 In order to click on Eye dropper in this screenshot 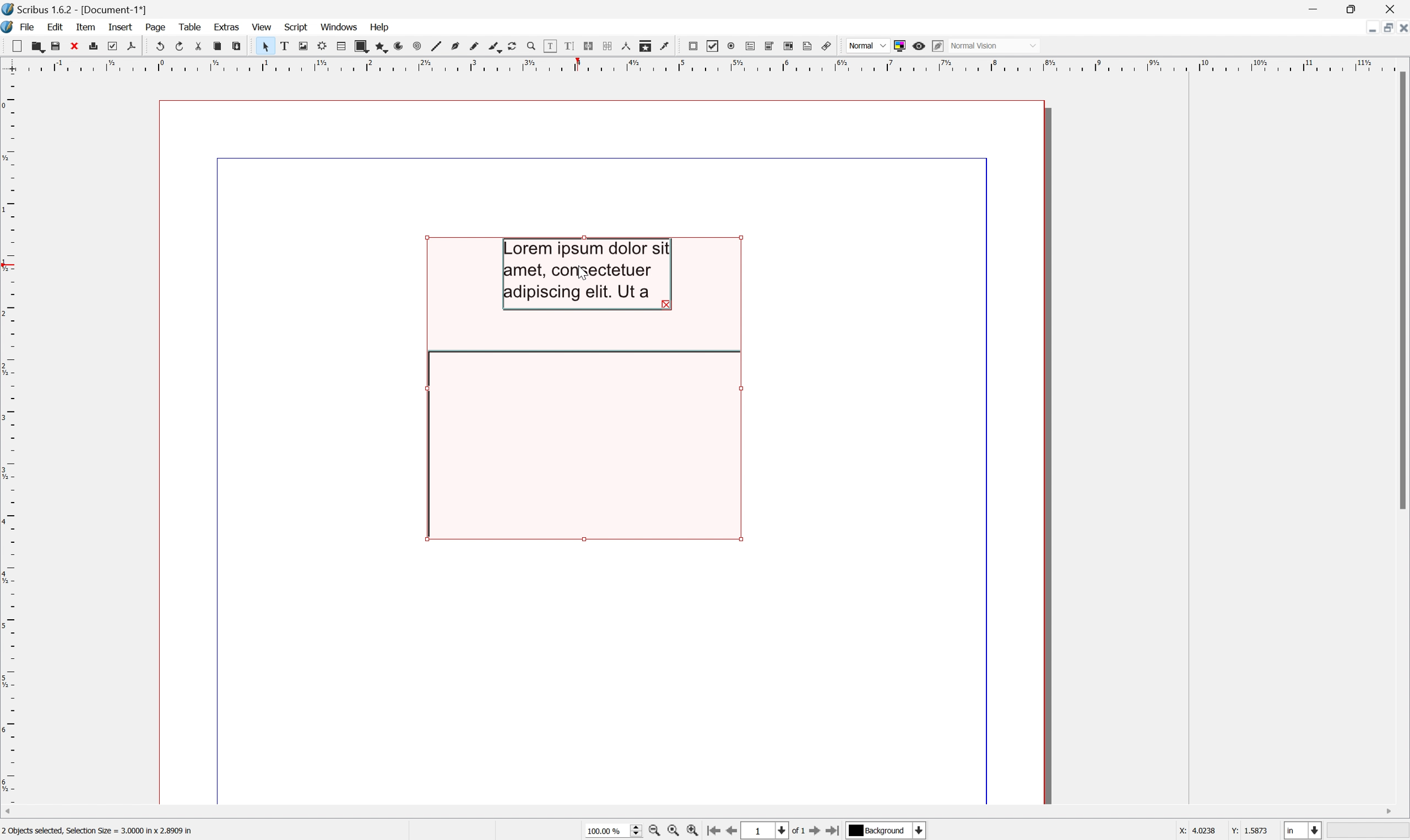, I will do `click(666, 46)`.